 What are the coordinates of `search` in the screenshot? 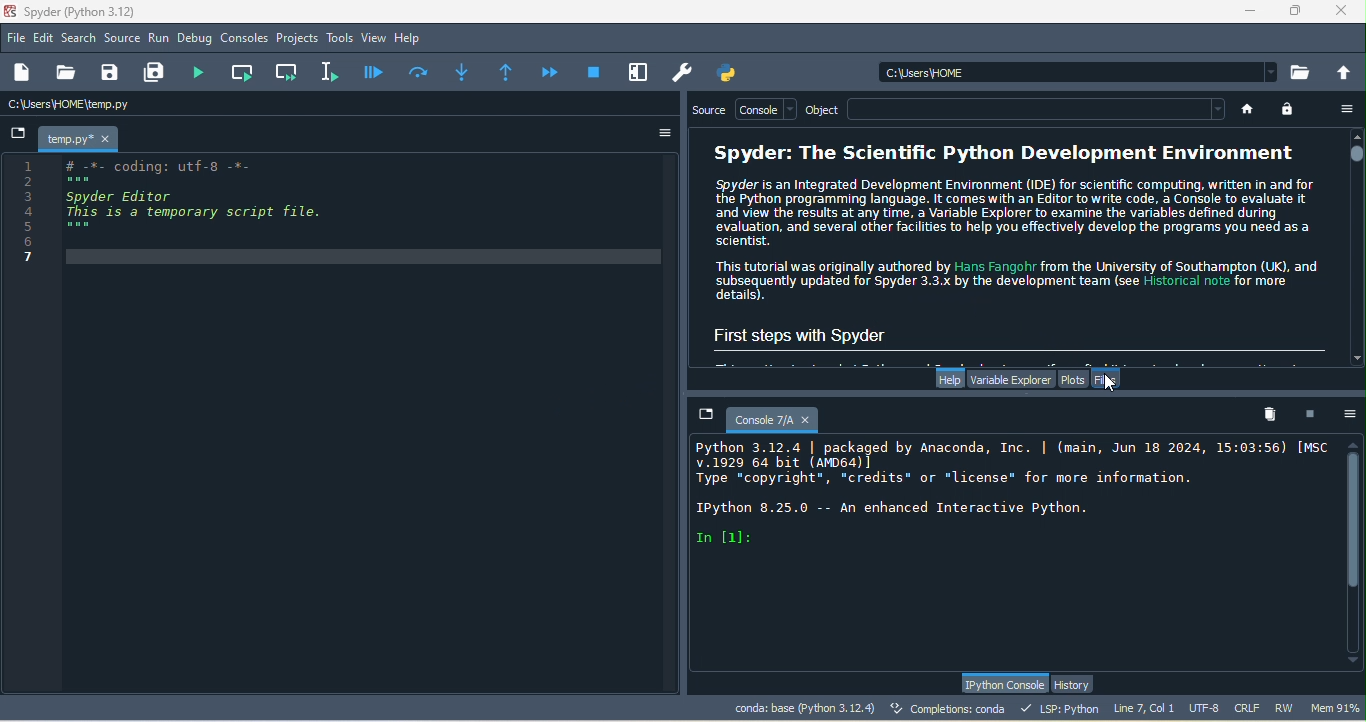 It's located at (80, 38).